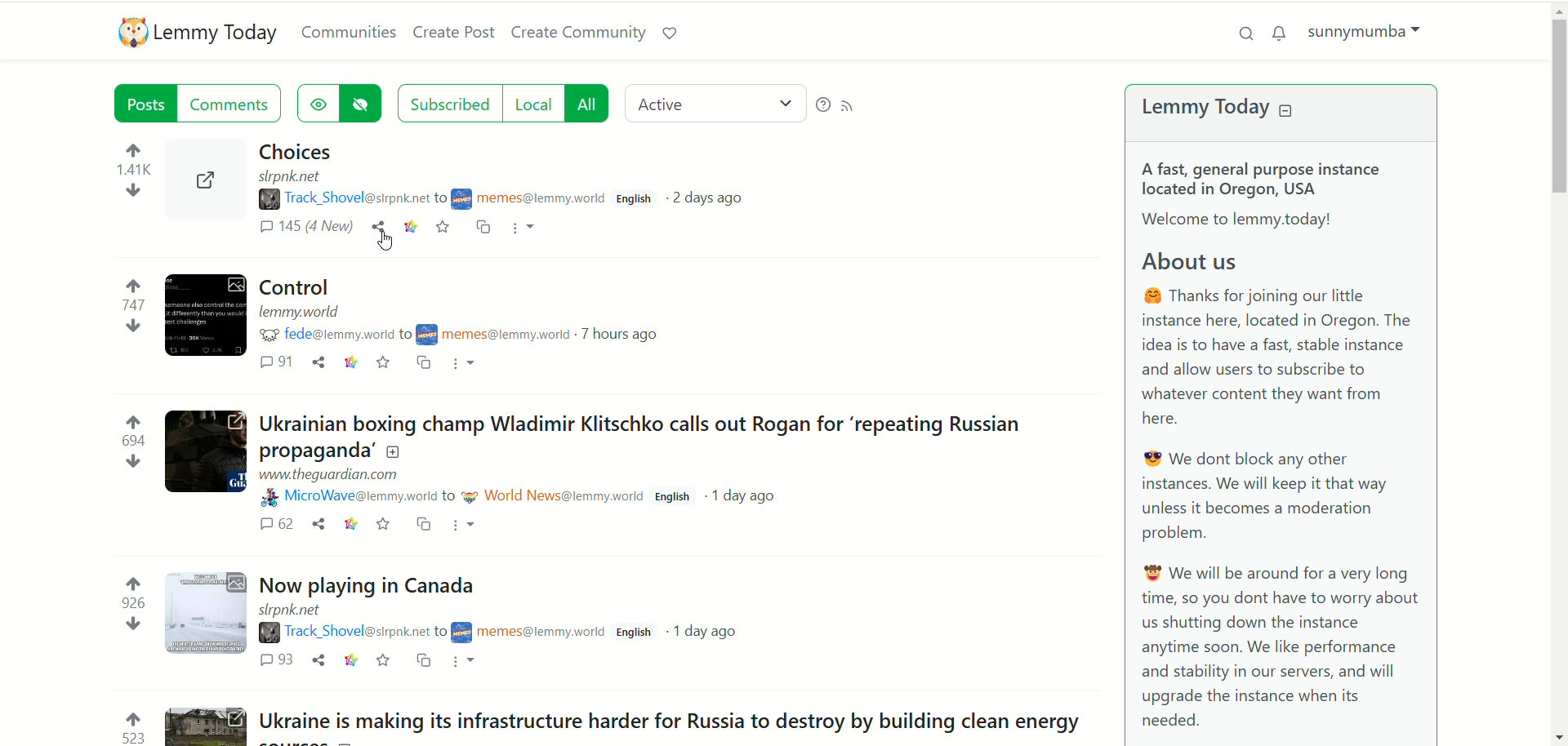  I want to click on search, so click(1239, 33).